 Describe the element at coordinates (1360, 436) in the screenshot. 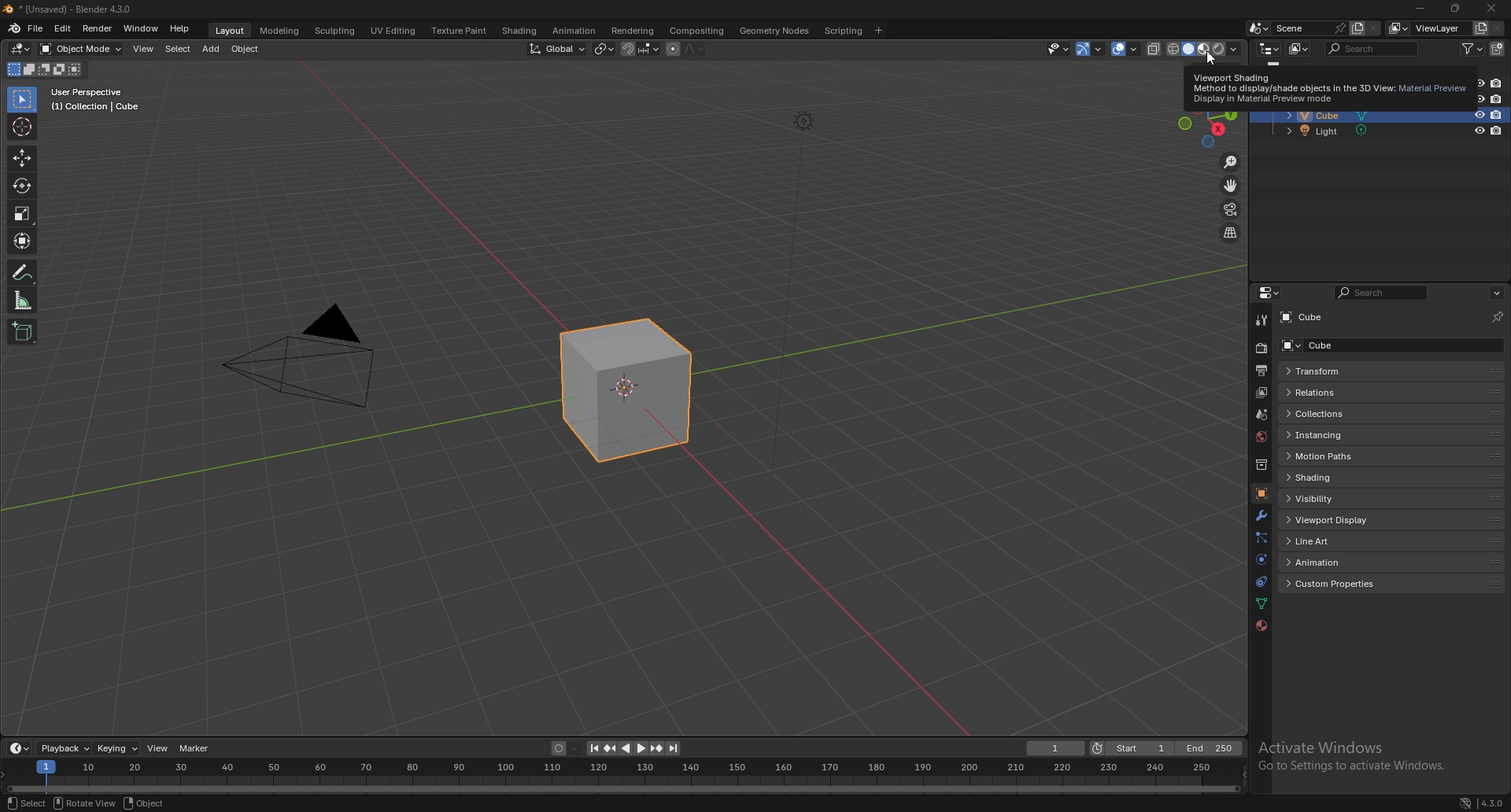

I see `instancing` at that location.